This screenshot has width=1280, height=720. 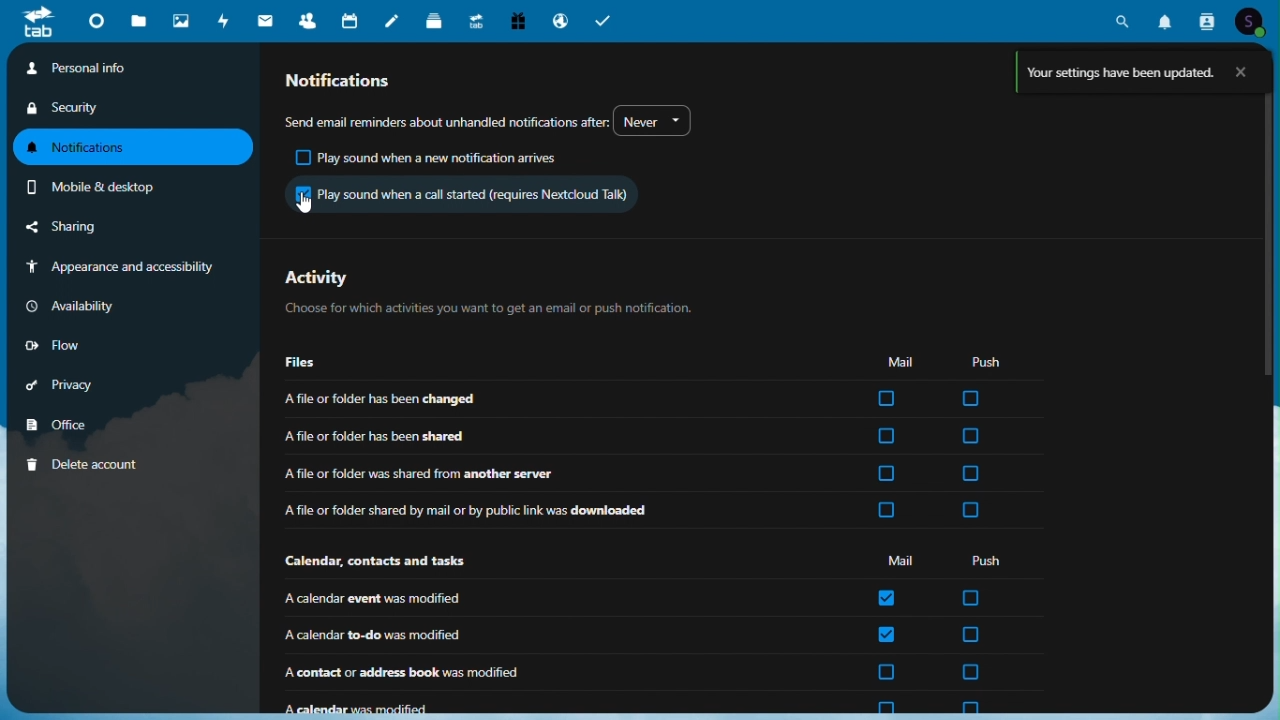 What do you see at coordinates (1206, 19) in the screenshot?
I see `Contacts` at bounding box center [1206, 19].